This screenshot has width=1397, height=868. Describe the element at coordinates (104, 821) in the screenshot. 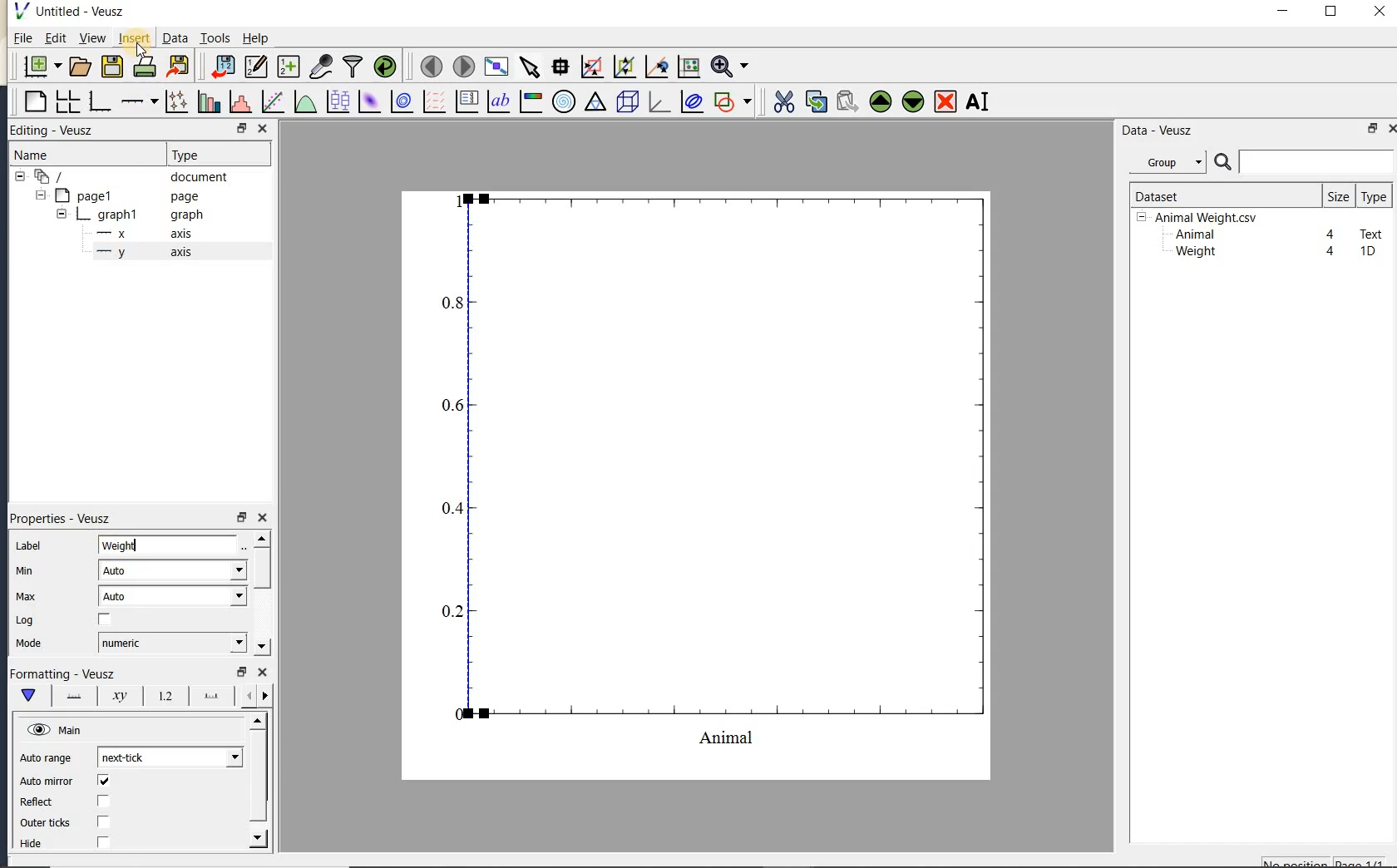

I see `check/uncheck` at that location.